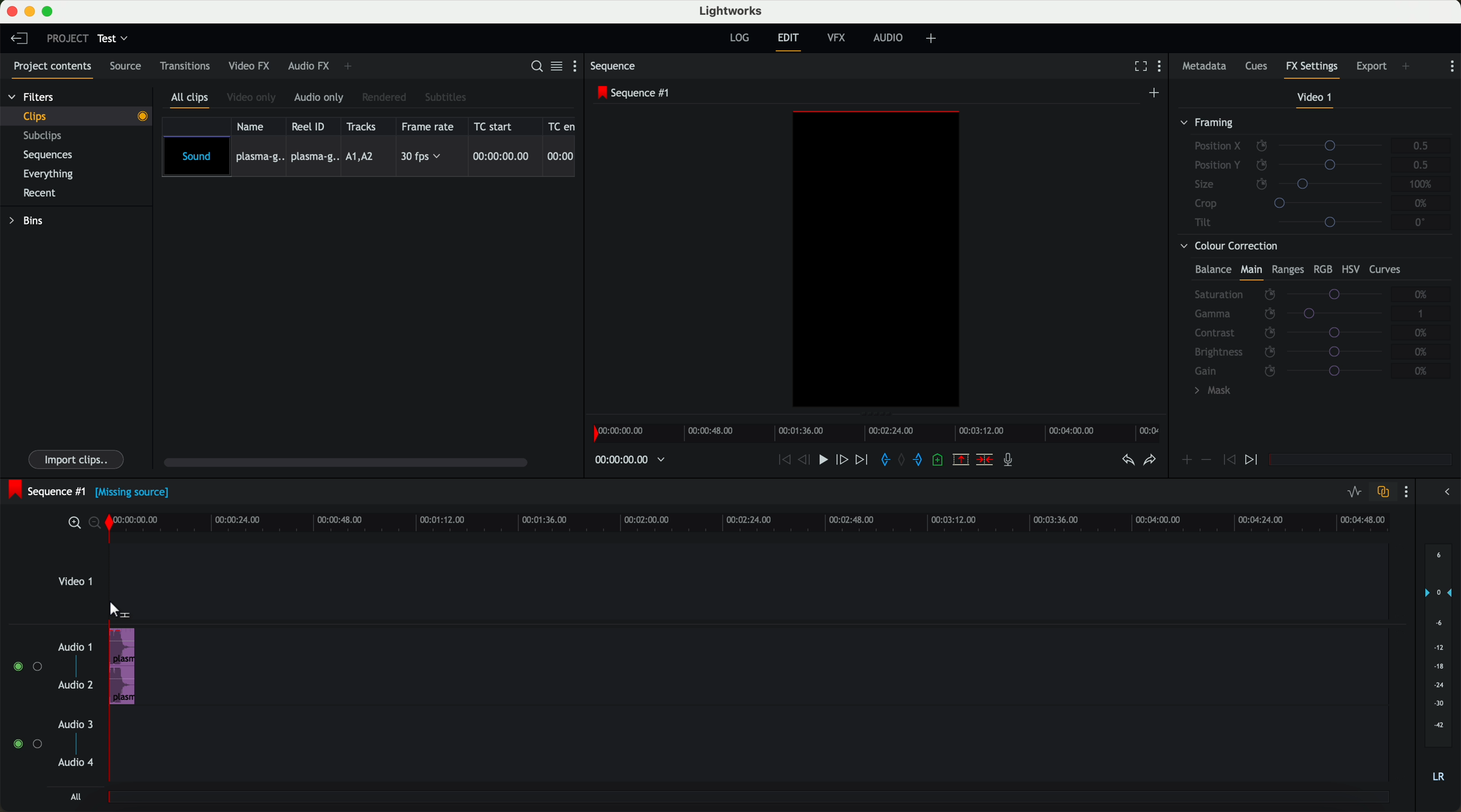 This screenshot has width=1461, height=812. I want to click on all, so click(74, 798).